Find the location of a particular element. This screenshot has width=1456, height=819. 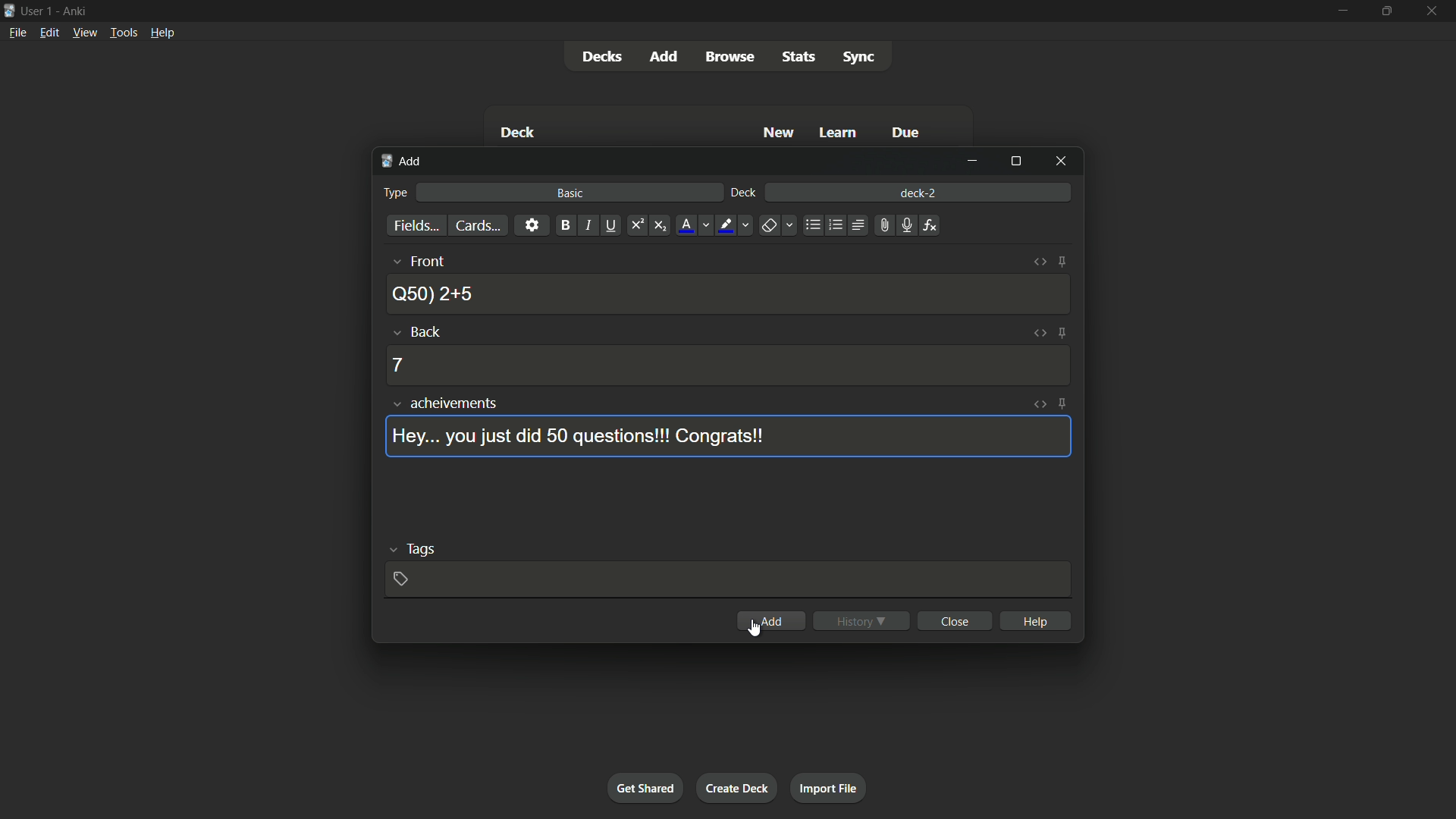

toggle sticky is located at coordinates (1060, 333).